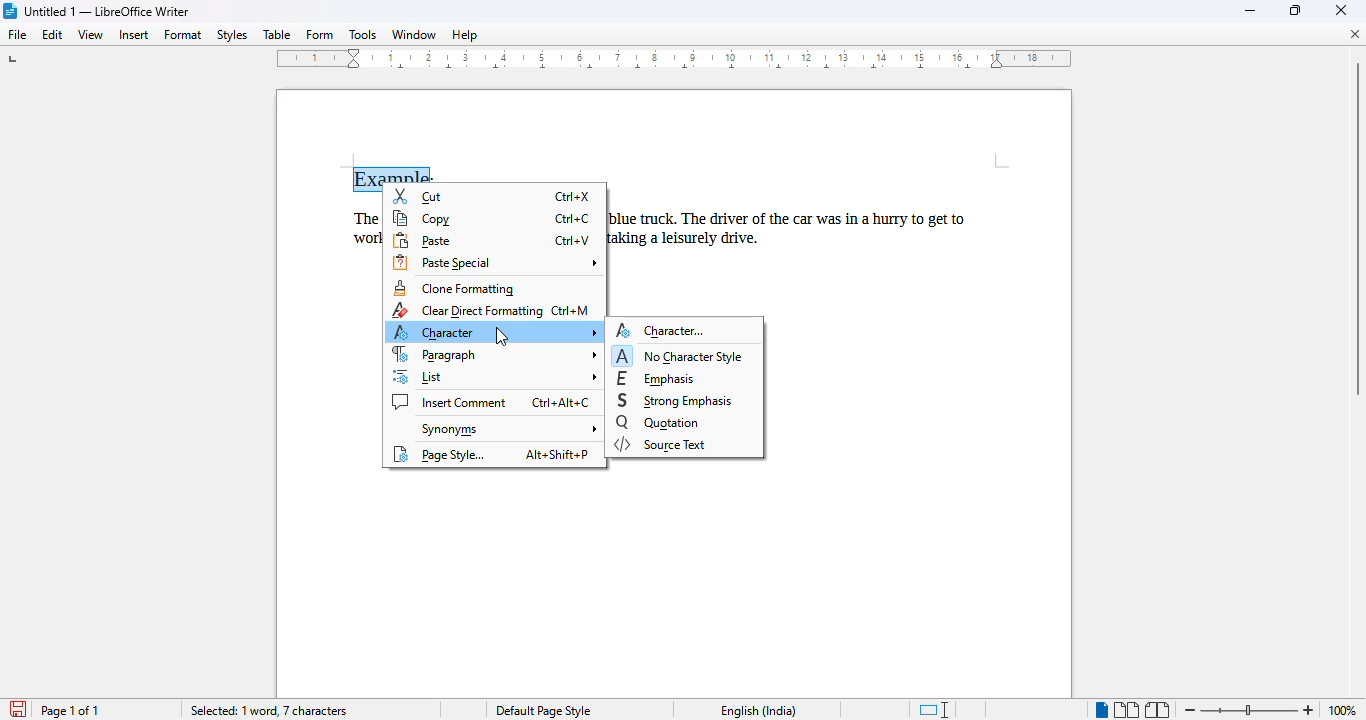 The height and width of the screenshot is (720, 1366). I want to click on close, so click(1340, 11).